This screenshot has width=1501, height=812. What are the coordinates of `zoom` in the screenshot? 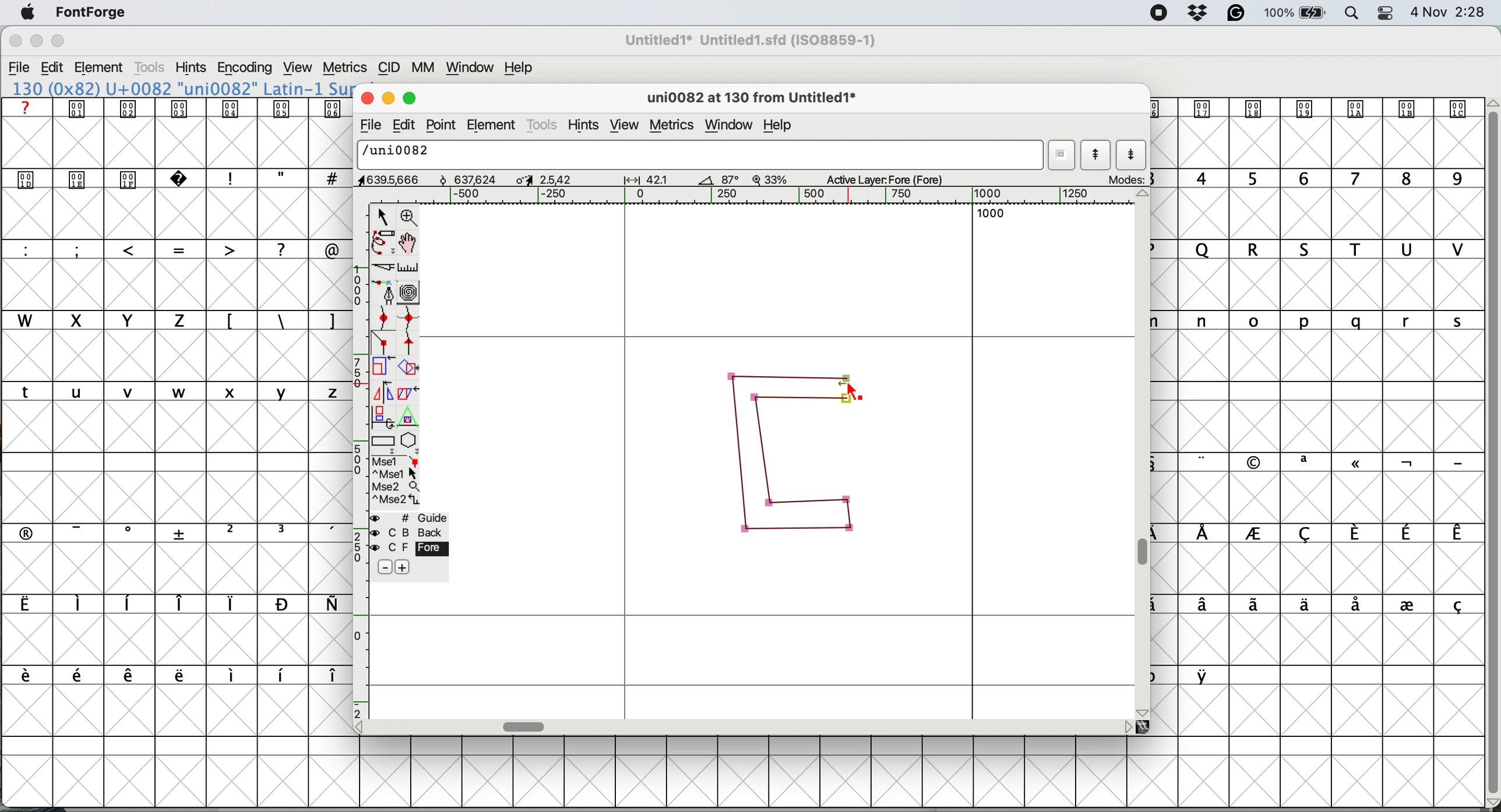 It's located at (410, 216).